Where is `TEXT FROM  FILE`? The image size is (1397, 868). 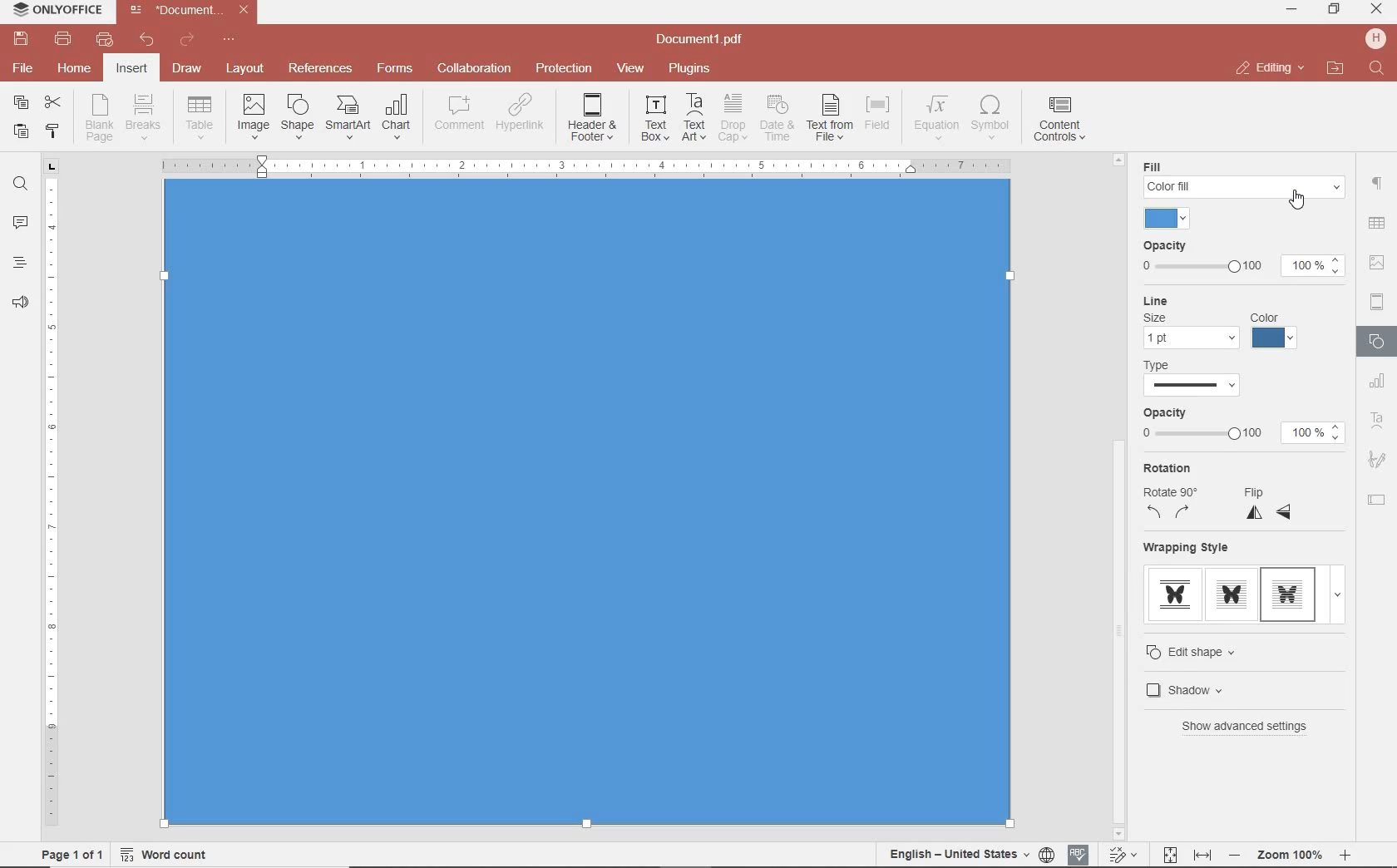 TEXT FROM  FILE is located at coordinates (830, 118).